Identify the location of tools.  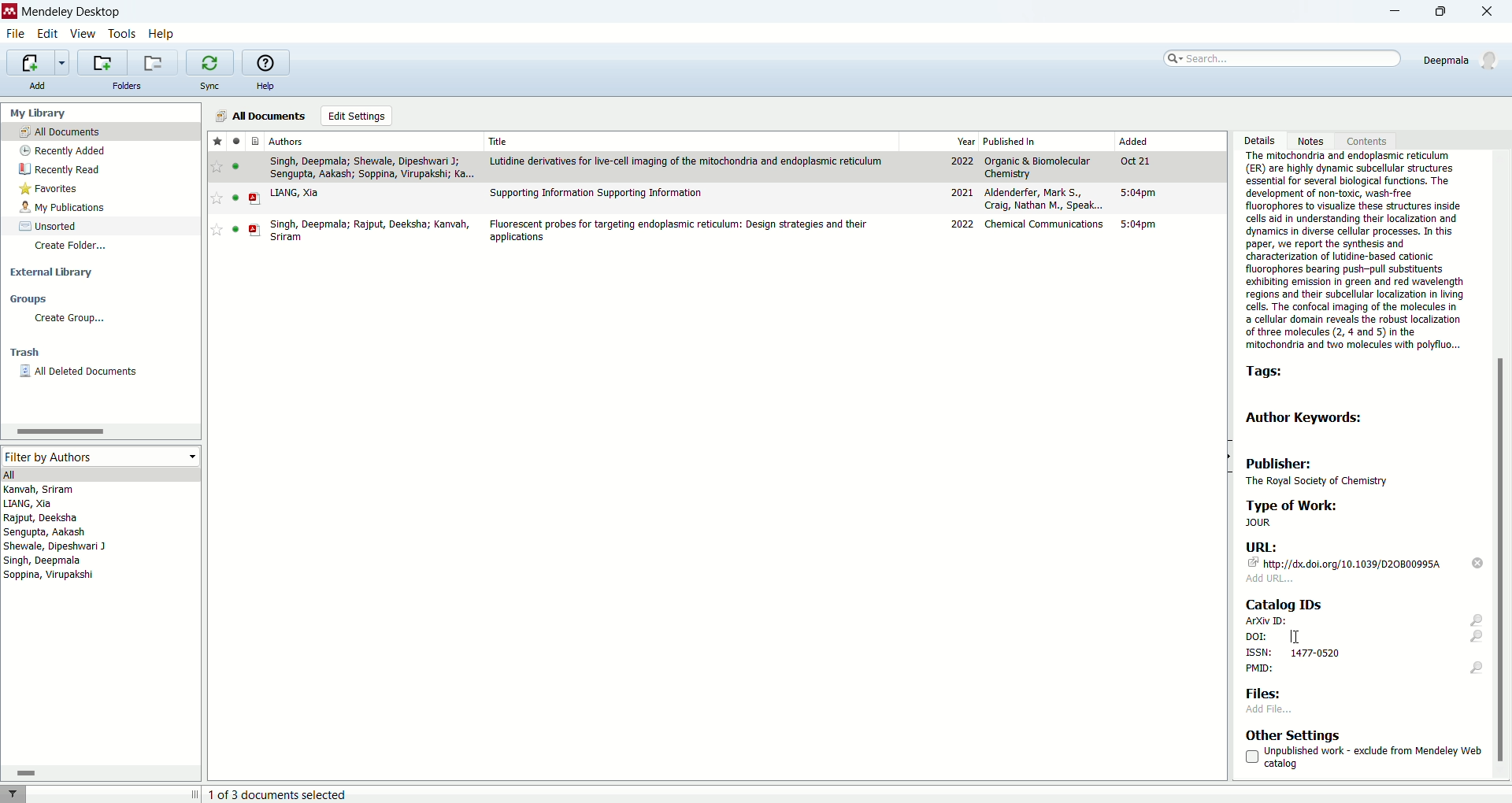
(123, 35).